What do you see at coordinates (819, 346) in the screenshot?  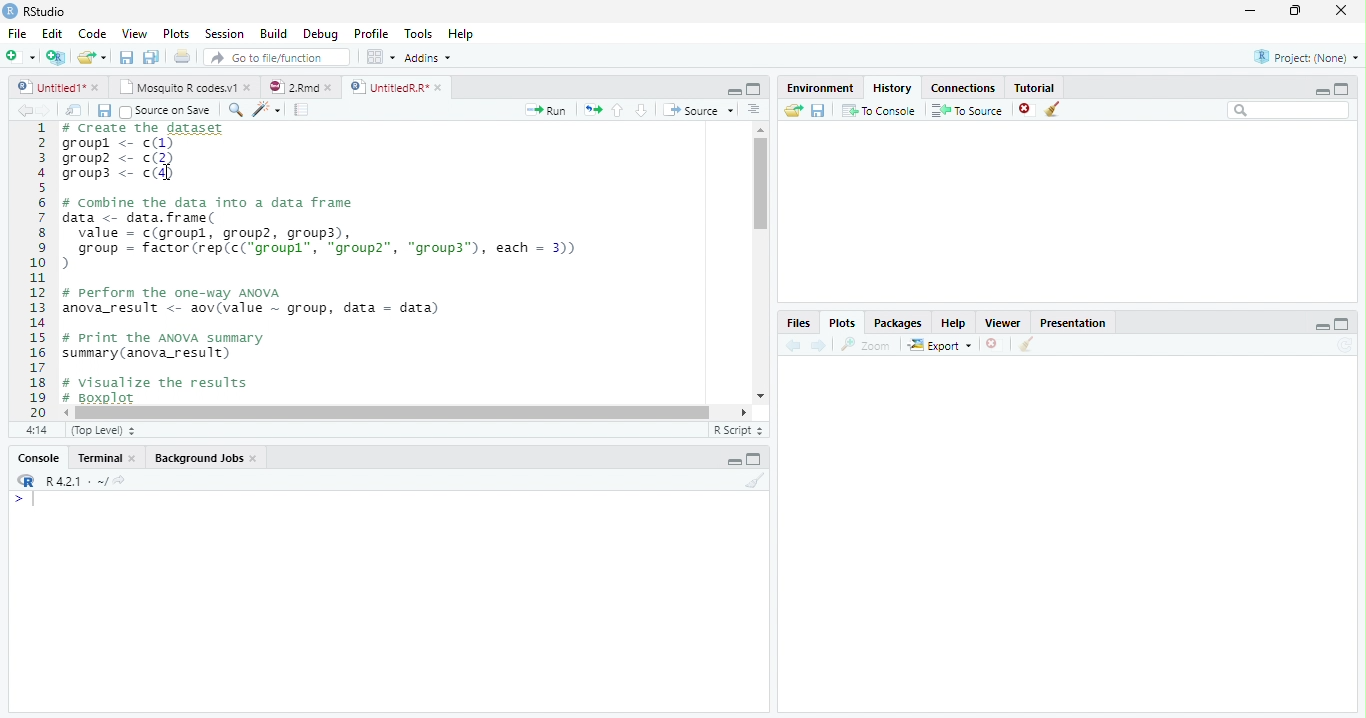 I see `Next` at bounding box center [819, 346].